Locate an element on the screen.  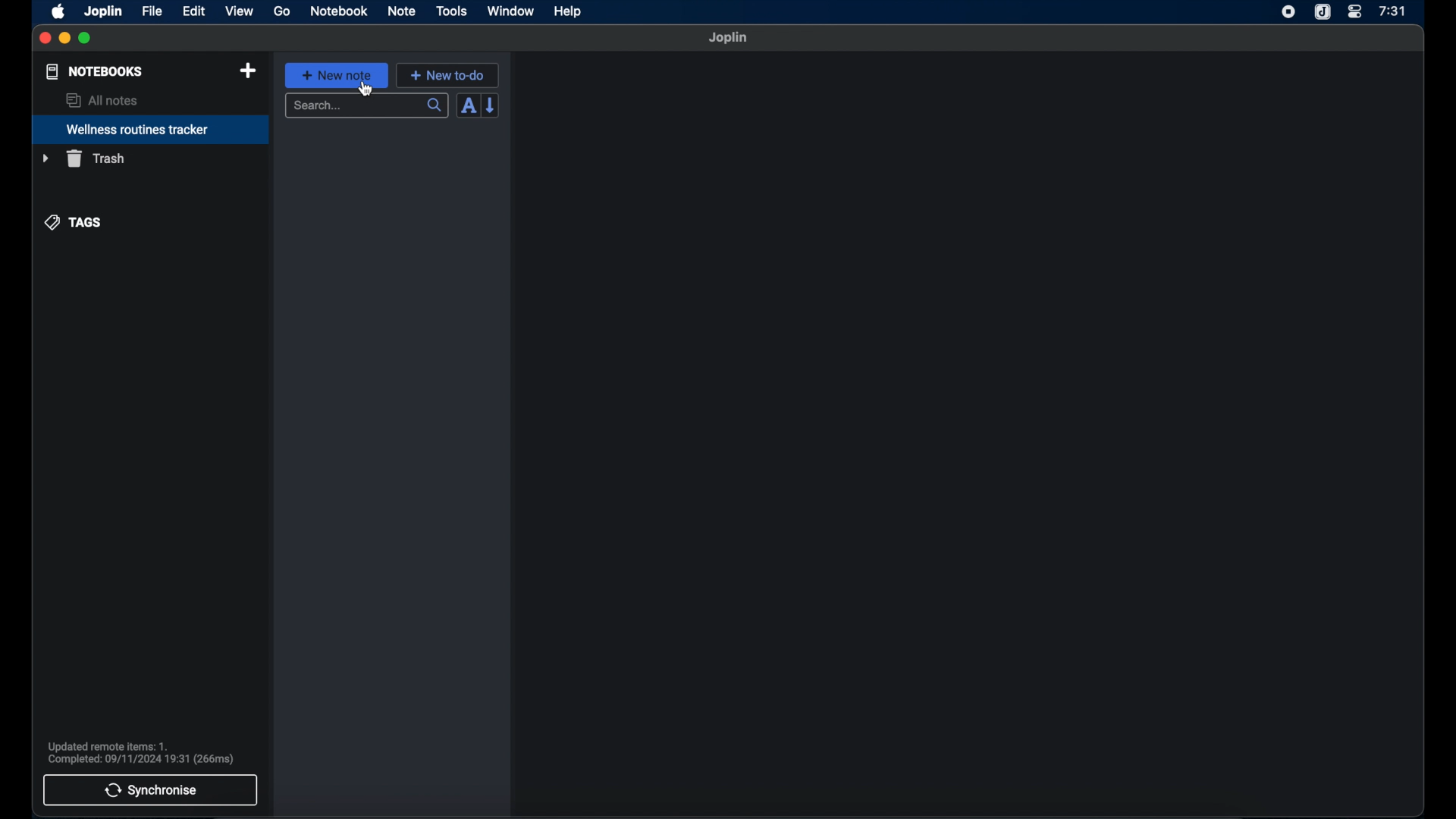
screen recorder is located at coordinates (1288, 11).